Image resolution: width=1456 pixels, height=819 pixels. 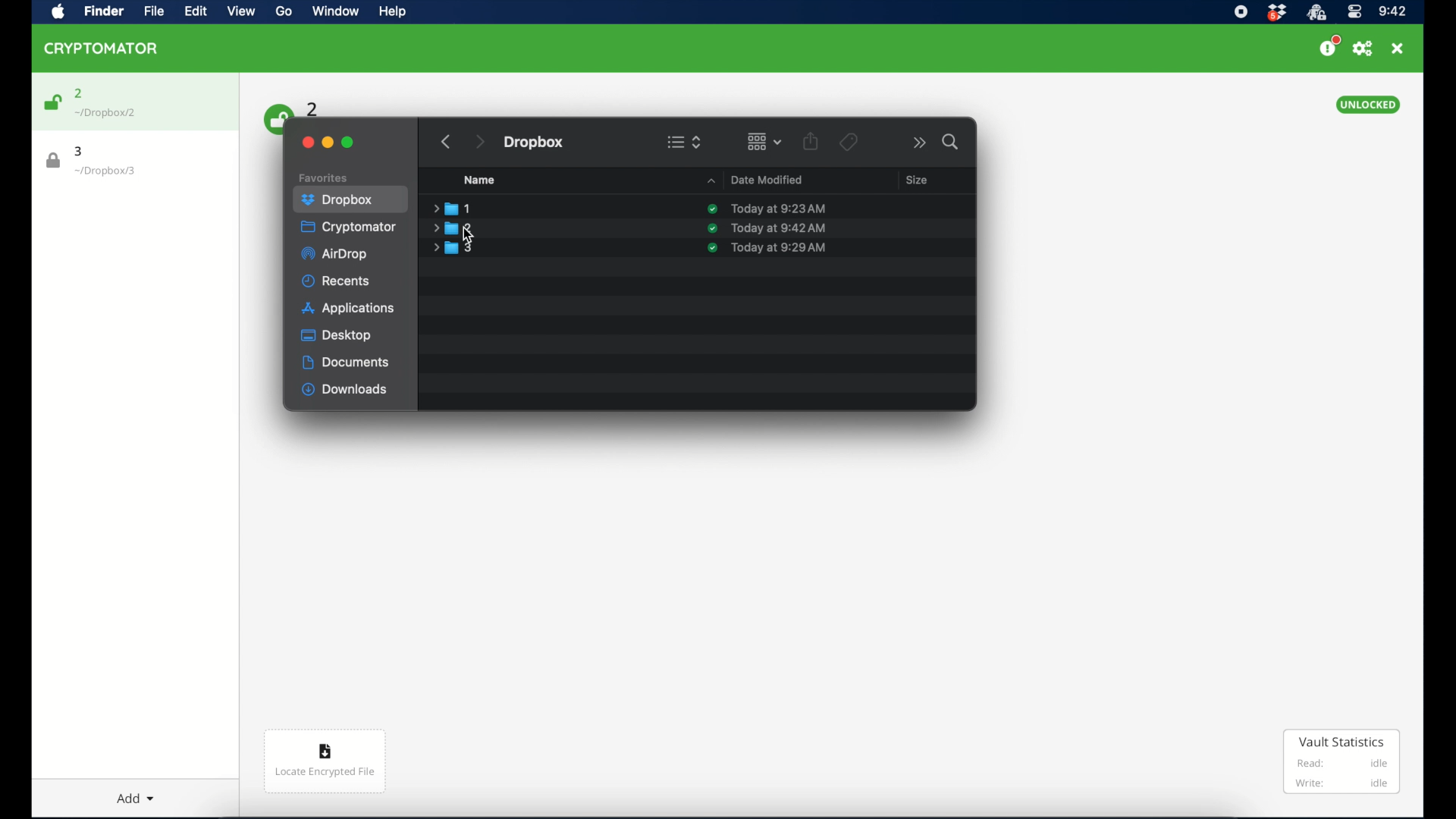 I want to click on downloads, so click(x=345, y=390).